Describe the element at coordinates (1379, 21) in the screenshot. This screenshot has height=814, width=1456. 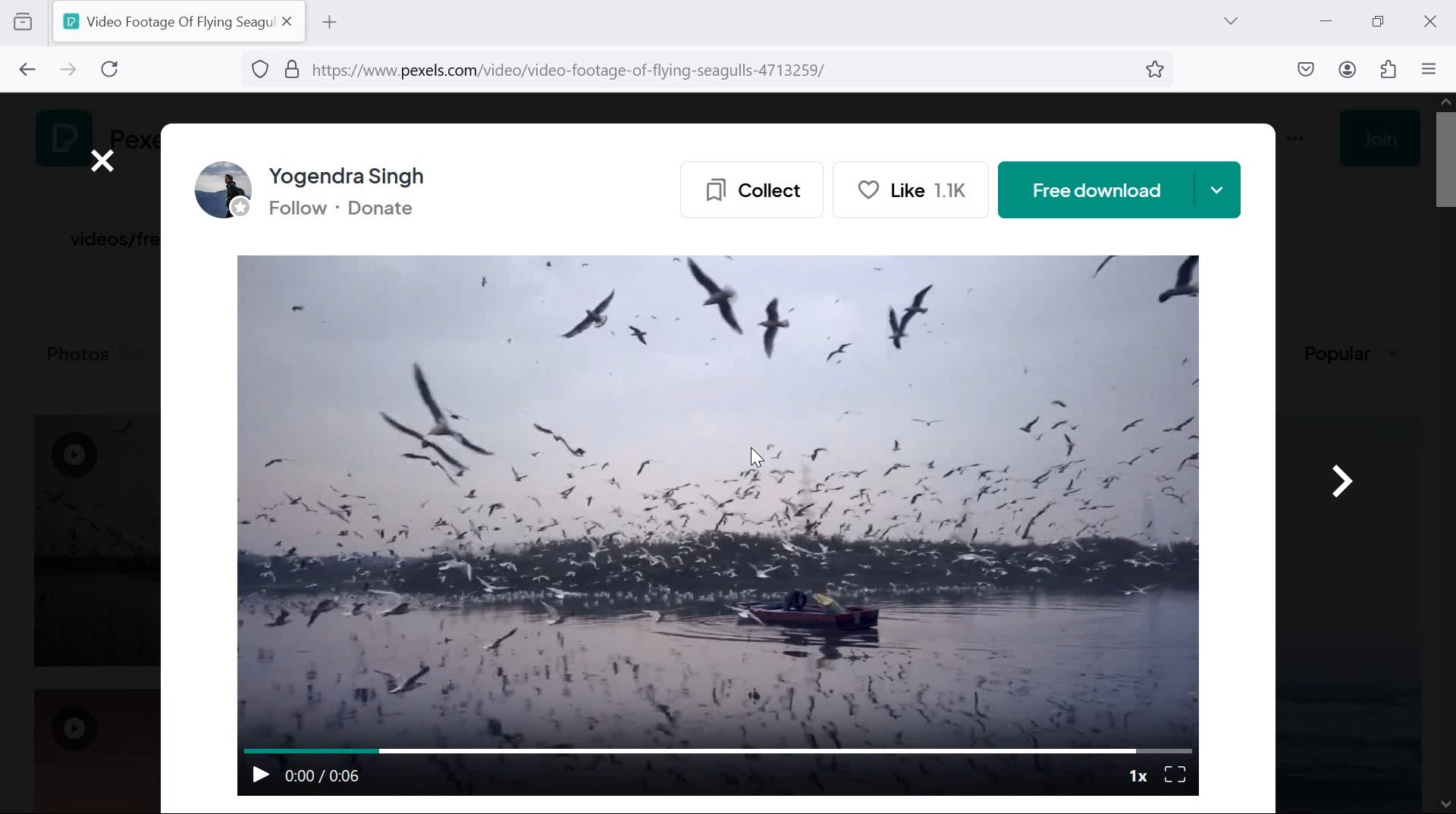
I see `restore down` at that location.